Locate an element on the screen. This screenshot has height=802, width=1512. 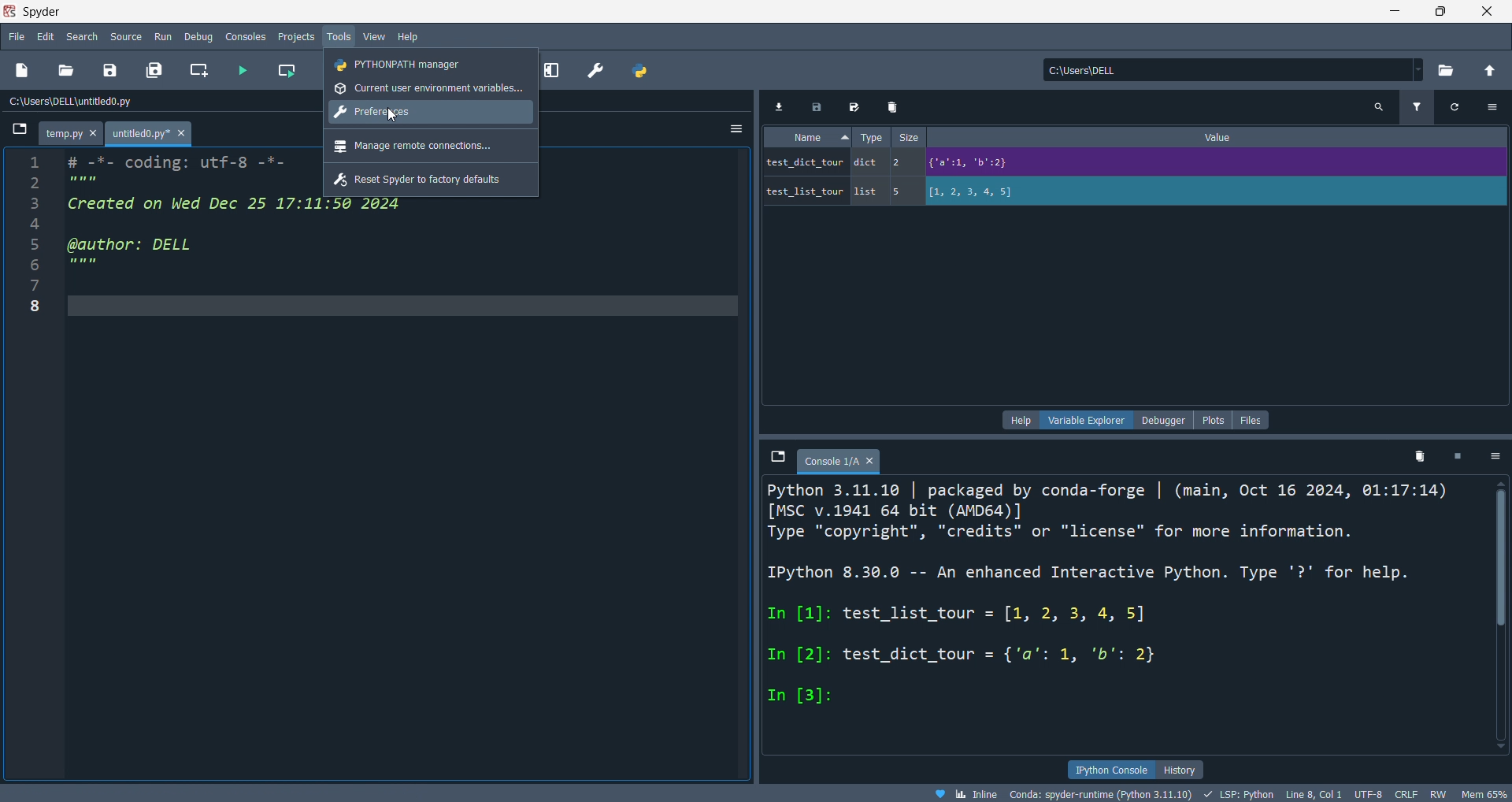
temp.py is located at coordinates (75, 132).